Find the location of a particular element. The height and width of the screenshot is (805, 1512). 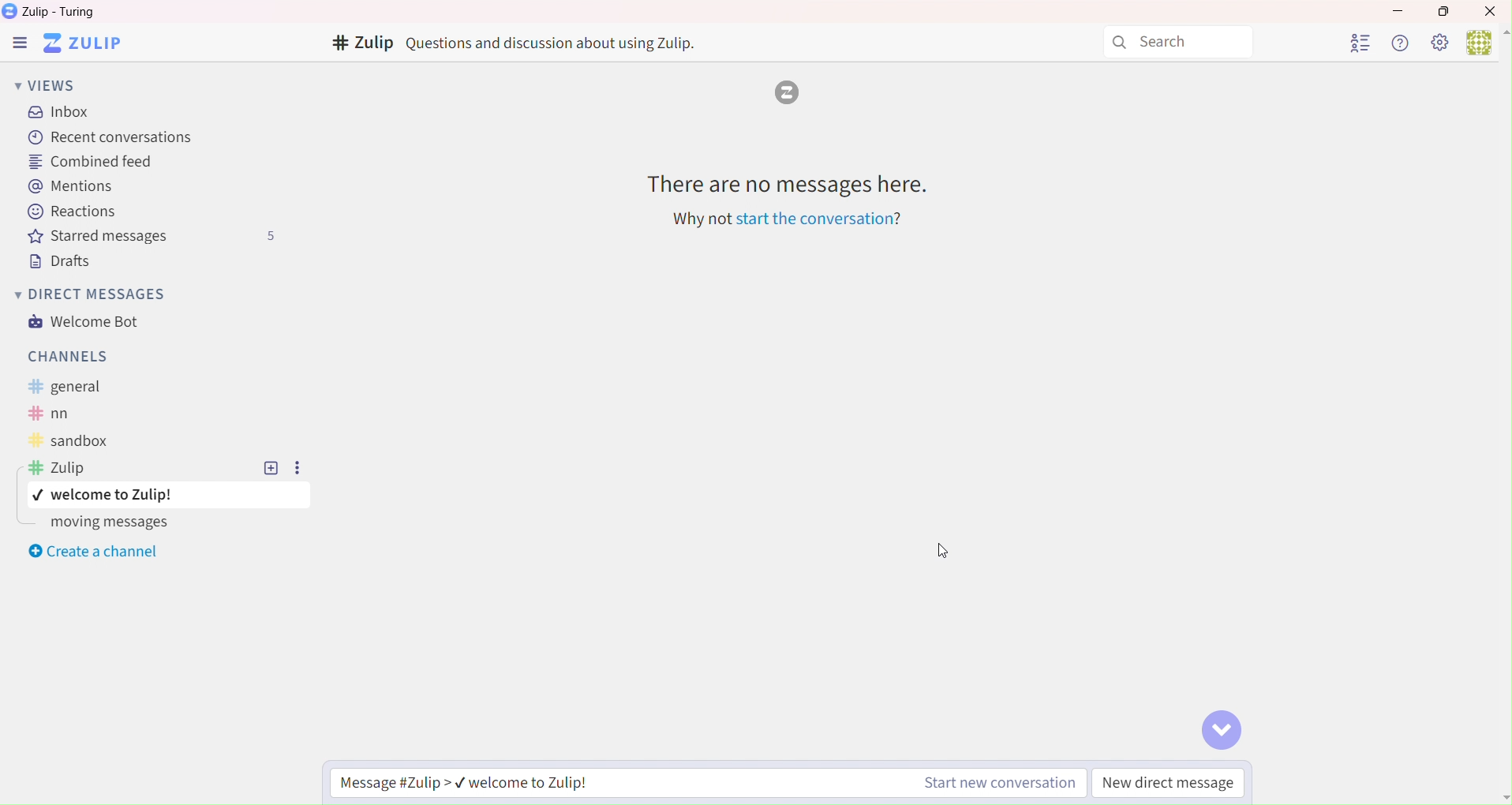

zulip logo is located at coordinates (787, 92).